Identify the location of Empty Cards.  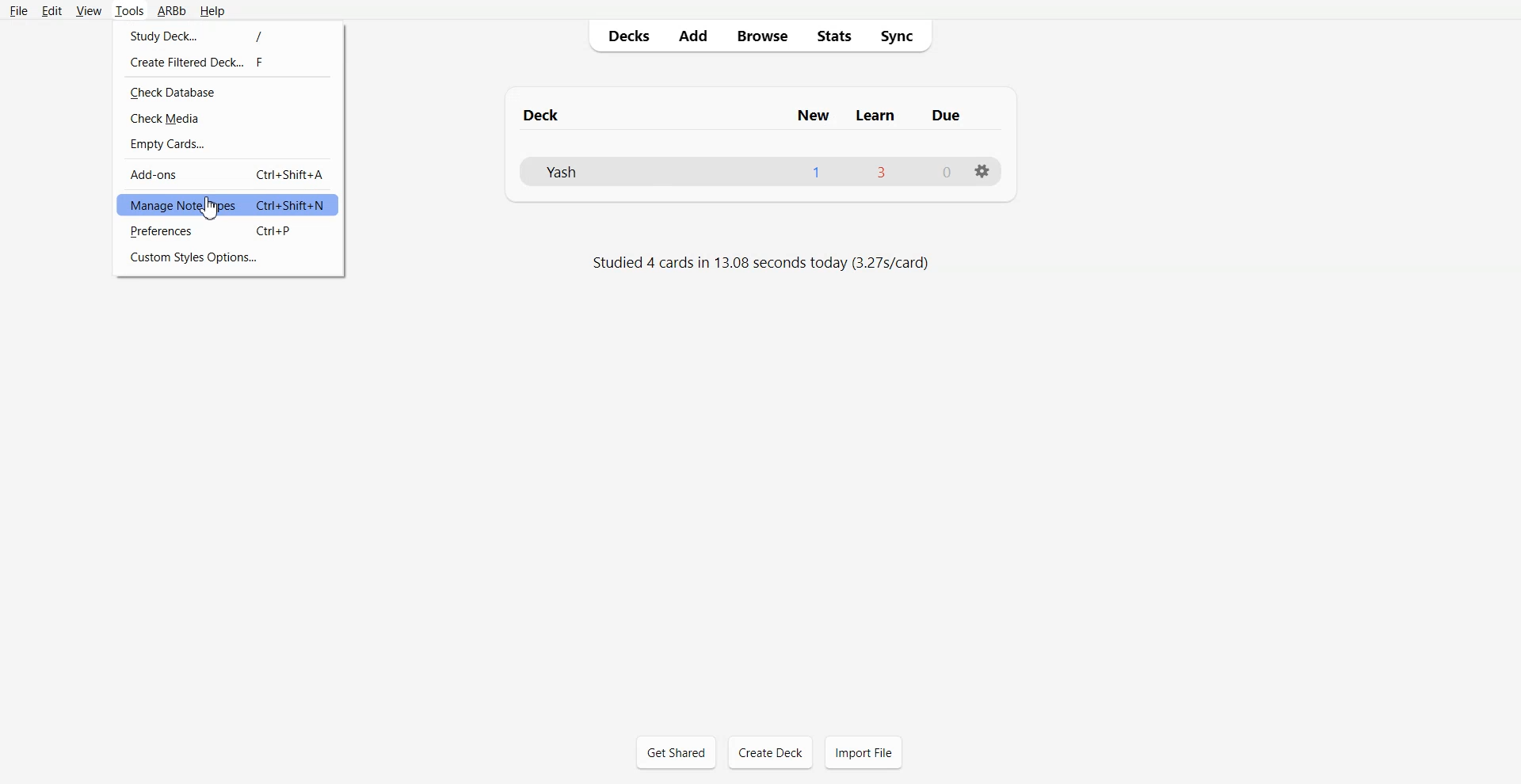
(228, 144).